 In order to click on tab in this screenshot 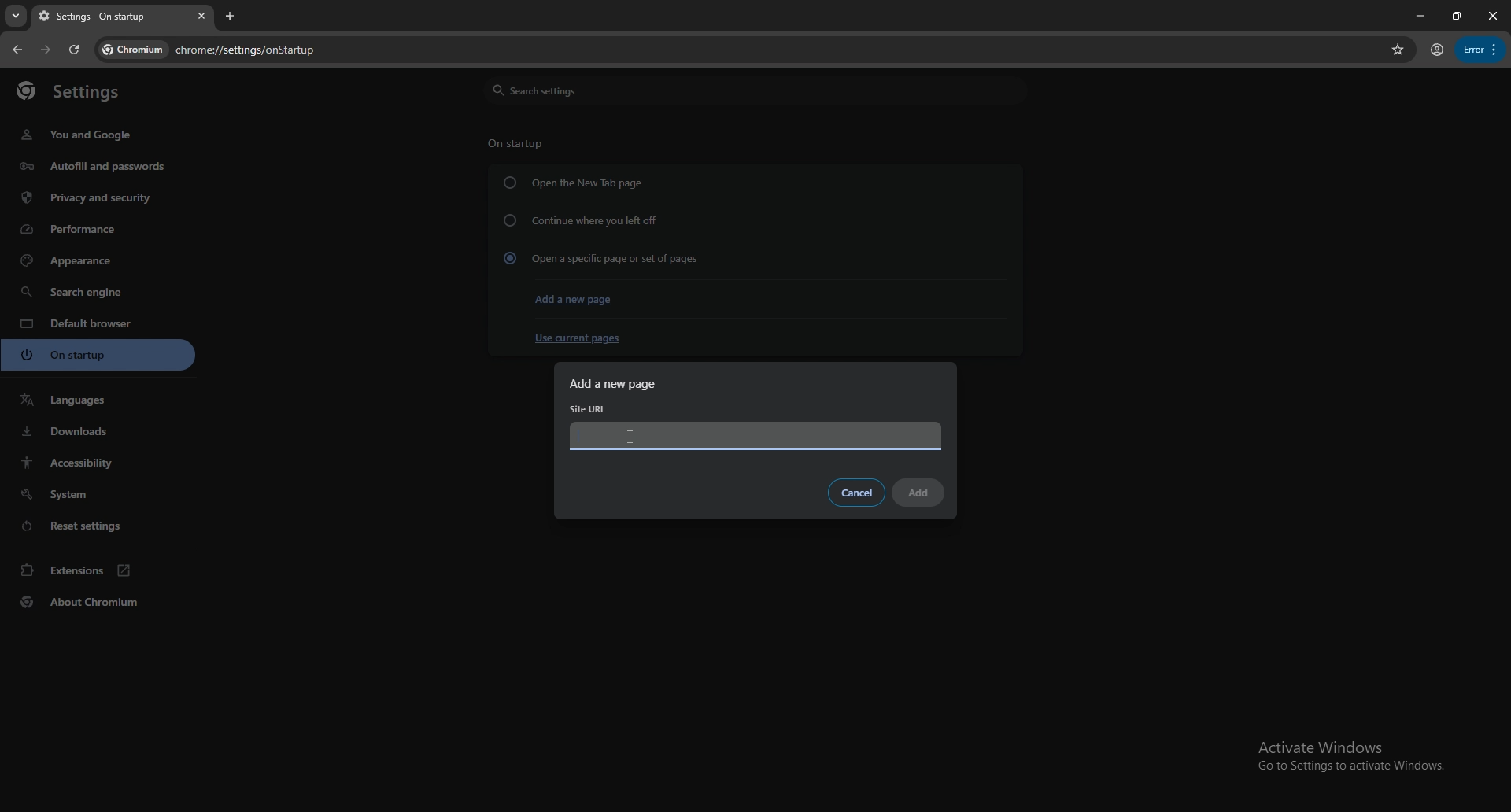, I will do `click(108, 17)`.